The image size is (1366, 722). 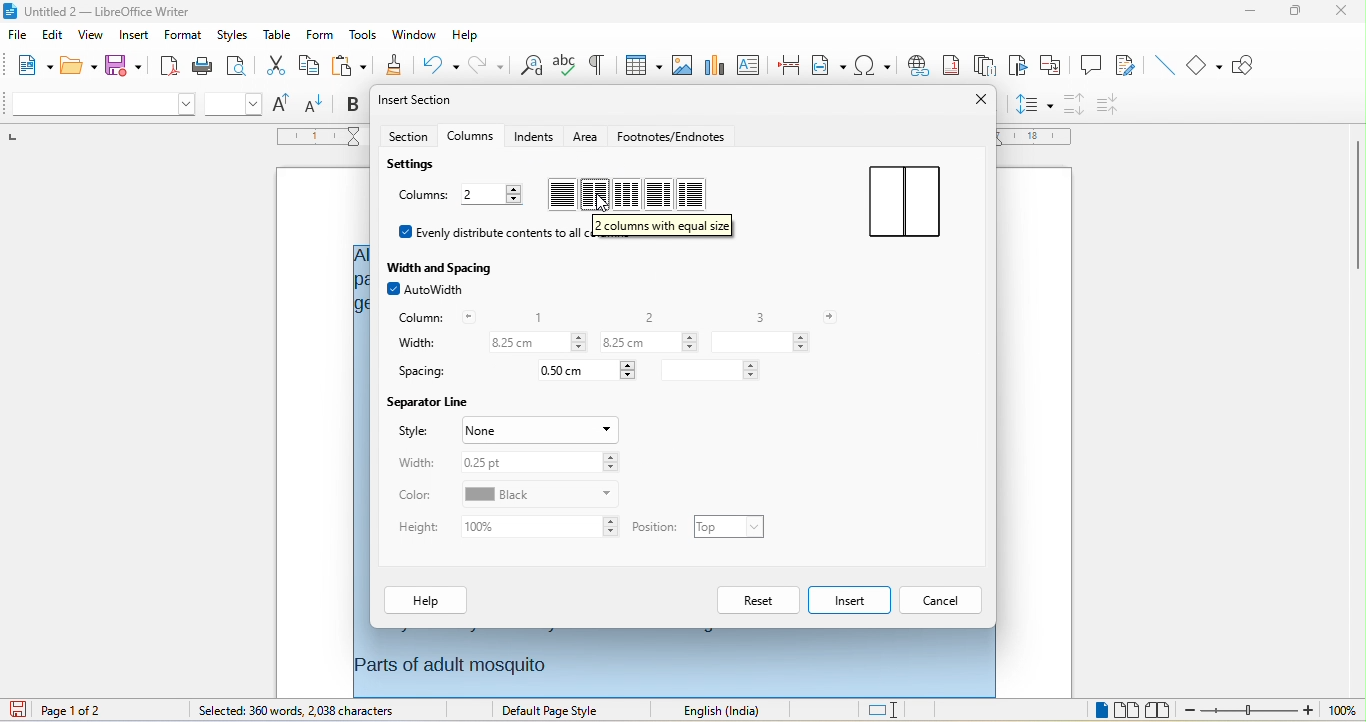 What do you see at coordinates (1246, 13) in the screenshot?
I see `minimize` at bounding box center [1246, 13].